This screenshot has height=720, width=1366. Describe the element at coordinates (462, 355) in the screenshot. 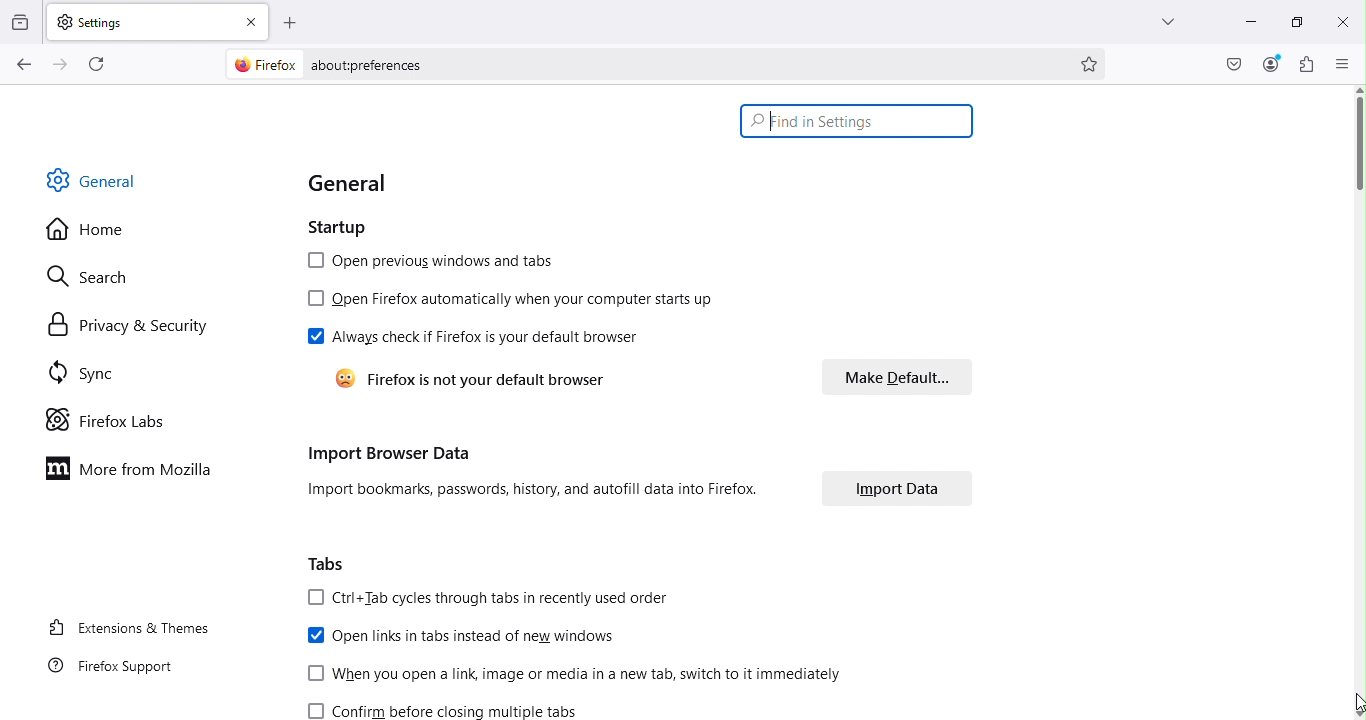

I see `Always check if firefox is your default browser` at that location.